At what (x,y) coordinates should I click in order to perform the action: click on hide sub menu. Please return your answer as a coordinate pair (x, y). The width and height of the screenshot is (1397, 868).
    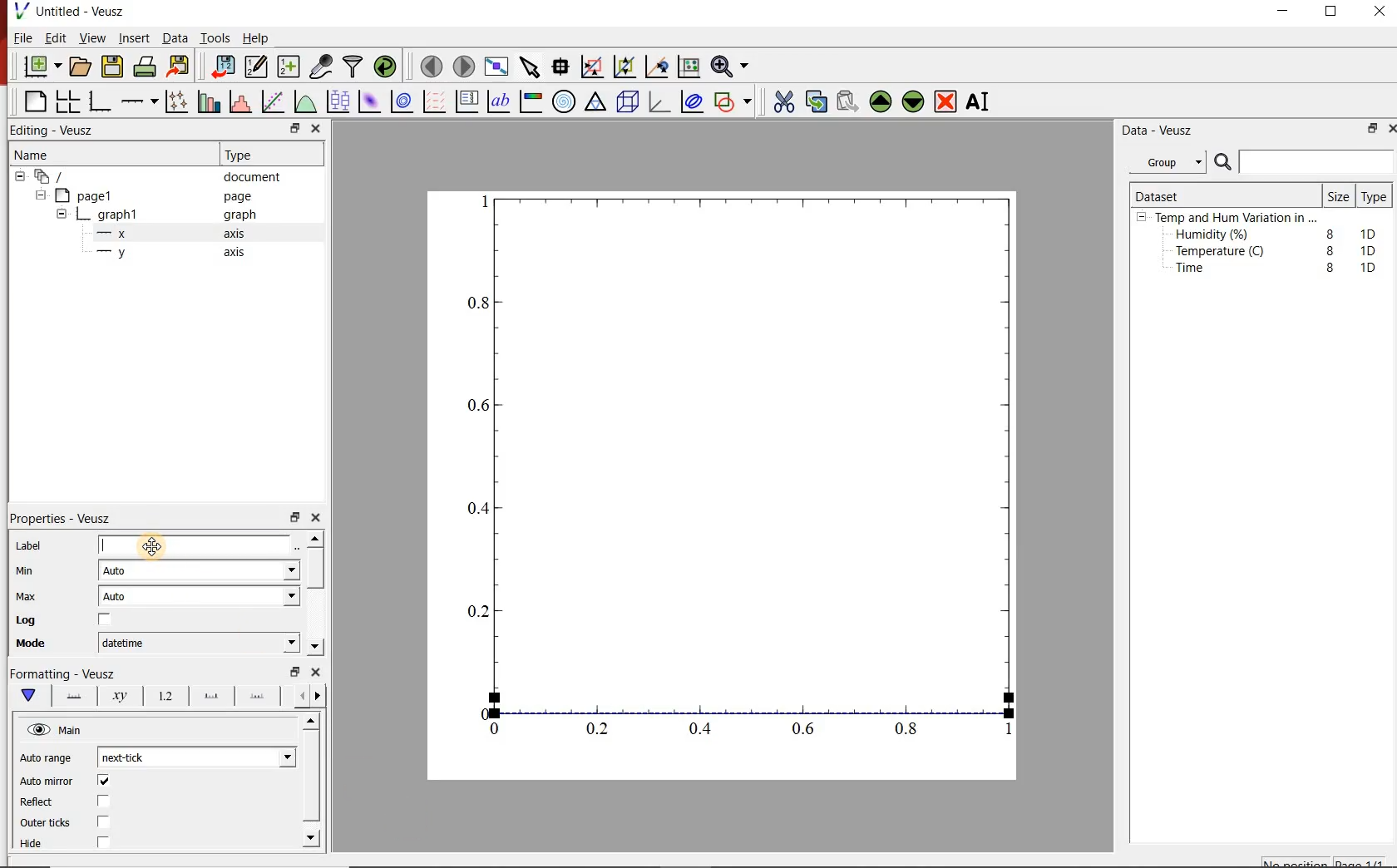
    Looking at the image, I should click on (43, 197).